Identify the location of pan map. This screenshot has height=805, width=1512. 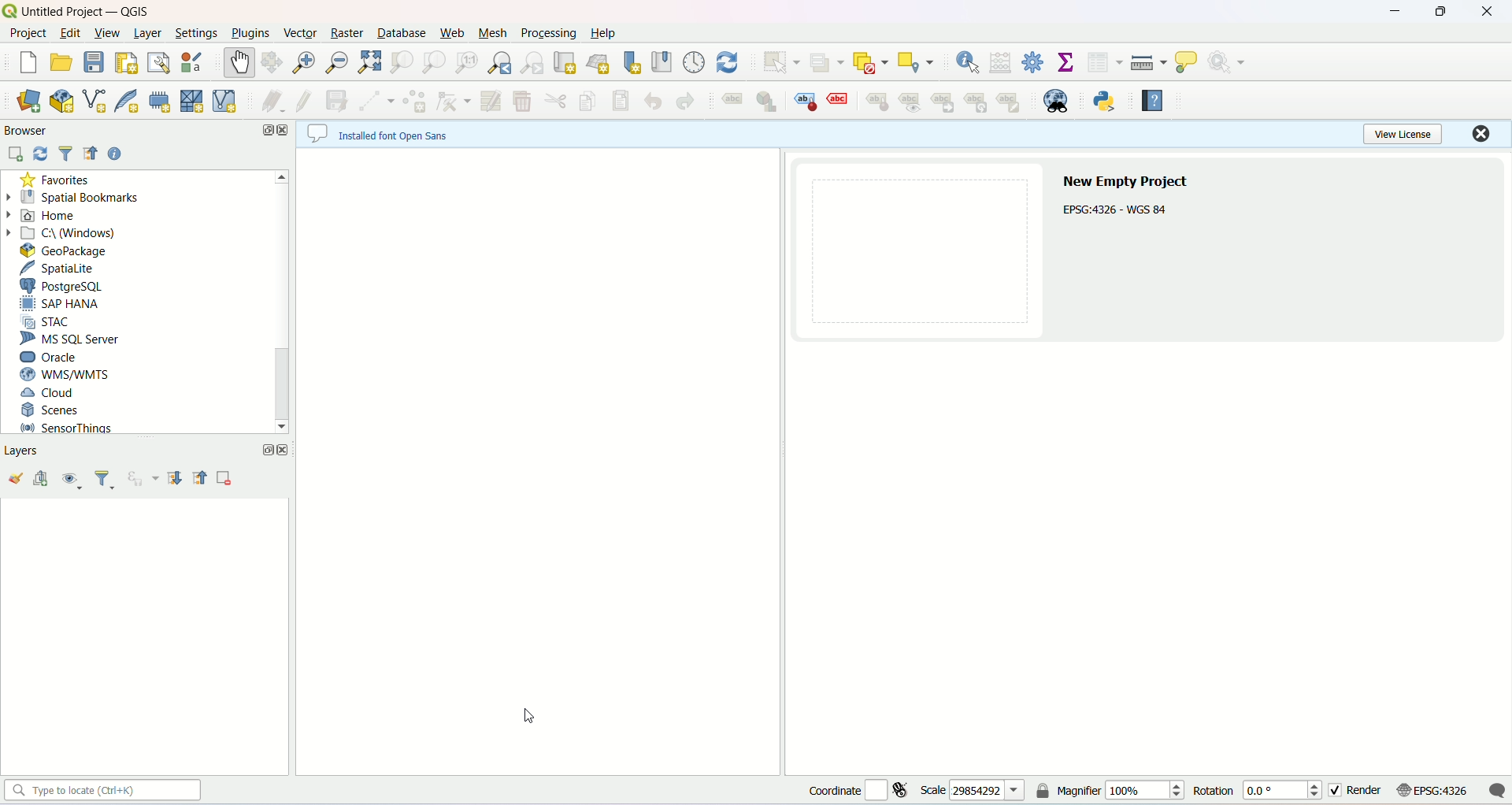
(239, 62).